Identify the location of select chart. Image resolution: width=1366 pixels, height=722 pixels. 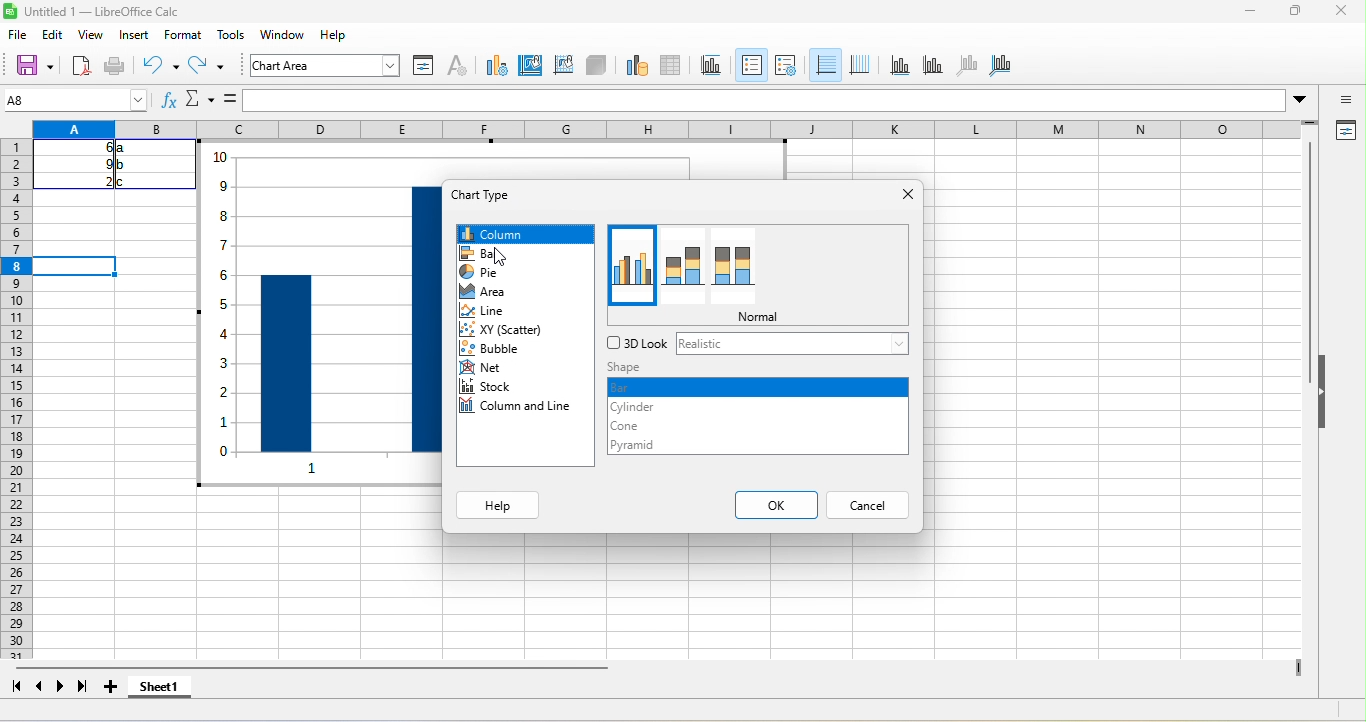
(496, 67).